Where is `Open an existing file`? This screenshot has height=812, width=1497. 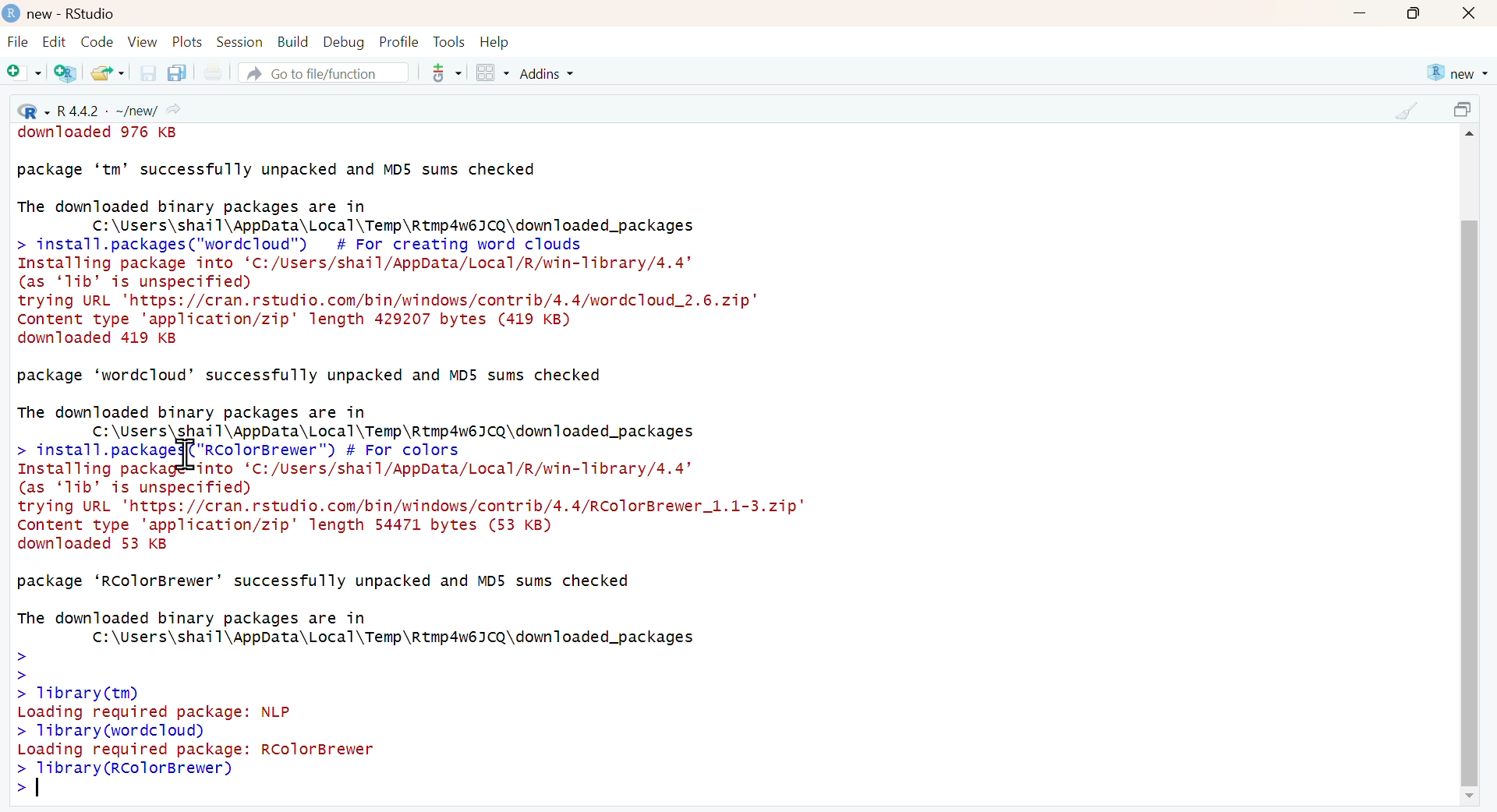
Open an existing file is located at coordinates (107, 72).